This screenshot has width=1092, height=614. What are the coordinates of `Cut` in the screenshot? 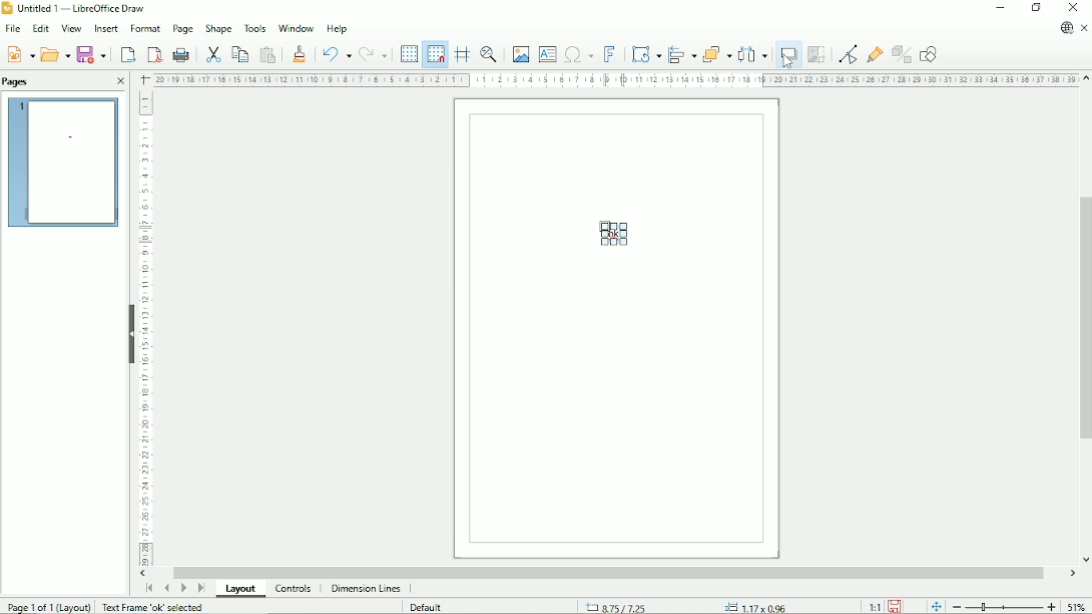 It's located at (214, 54).